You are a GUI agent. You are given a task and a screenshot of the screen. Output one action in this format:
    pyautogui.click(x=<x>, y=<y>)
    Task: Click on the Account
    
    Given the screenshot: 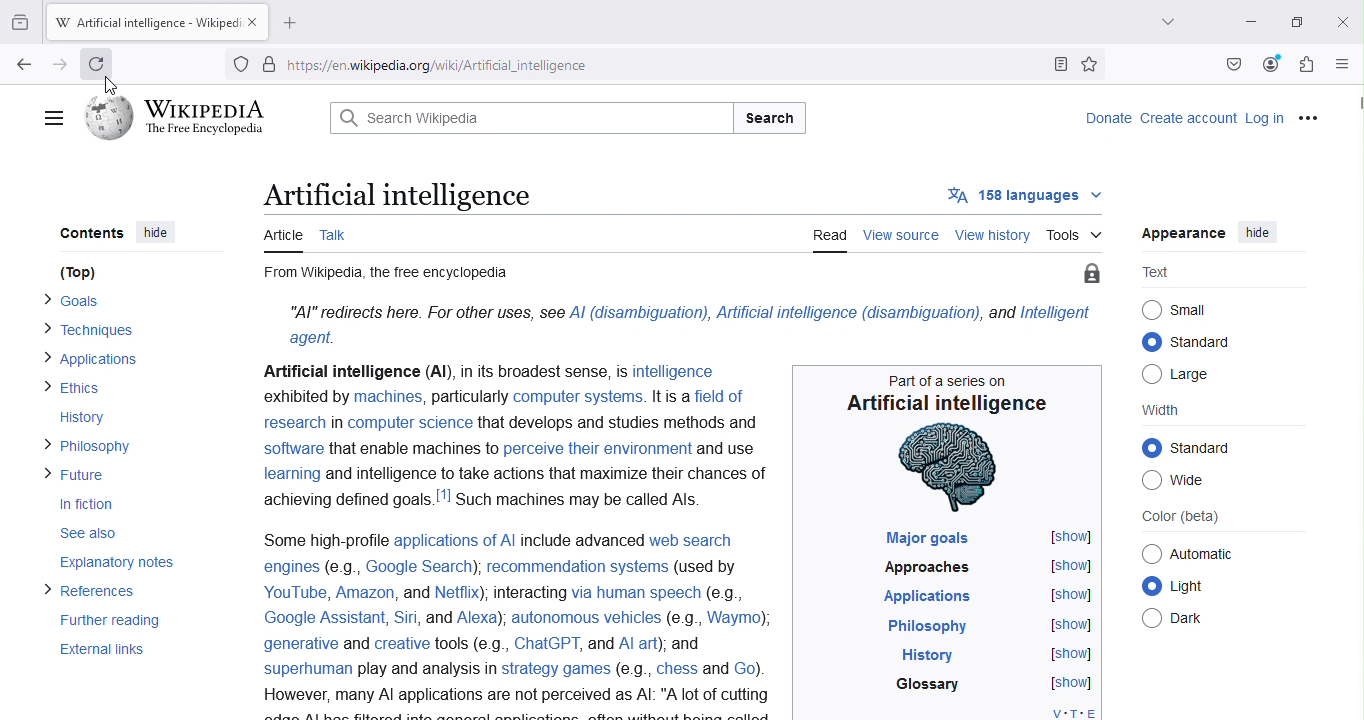 What is the action you would take?
    pyautogui.click(x=1271, y=64)
    